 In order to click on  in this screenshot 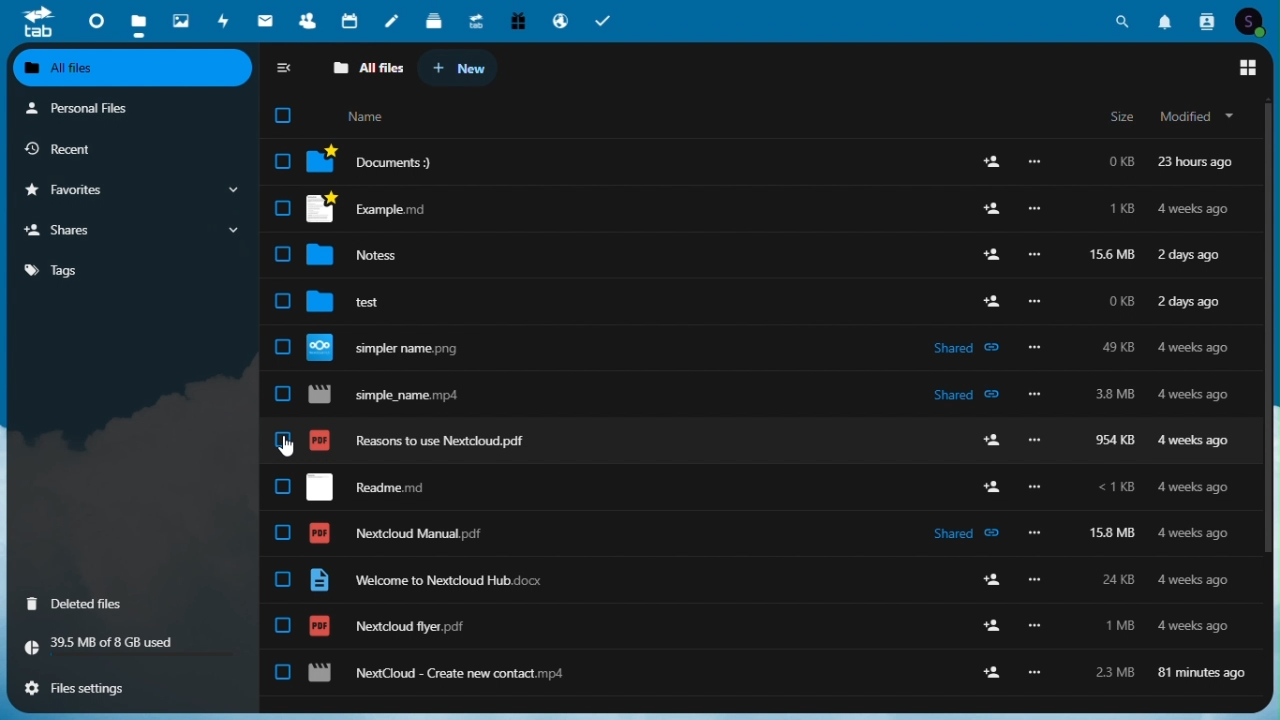, I will do `click(991, 300)`.